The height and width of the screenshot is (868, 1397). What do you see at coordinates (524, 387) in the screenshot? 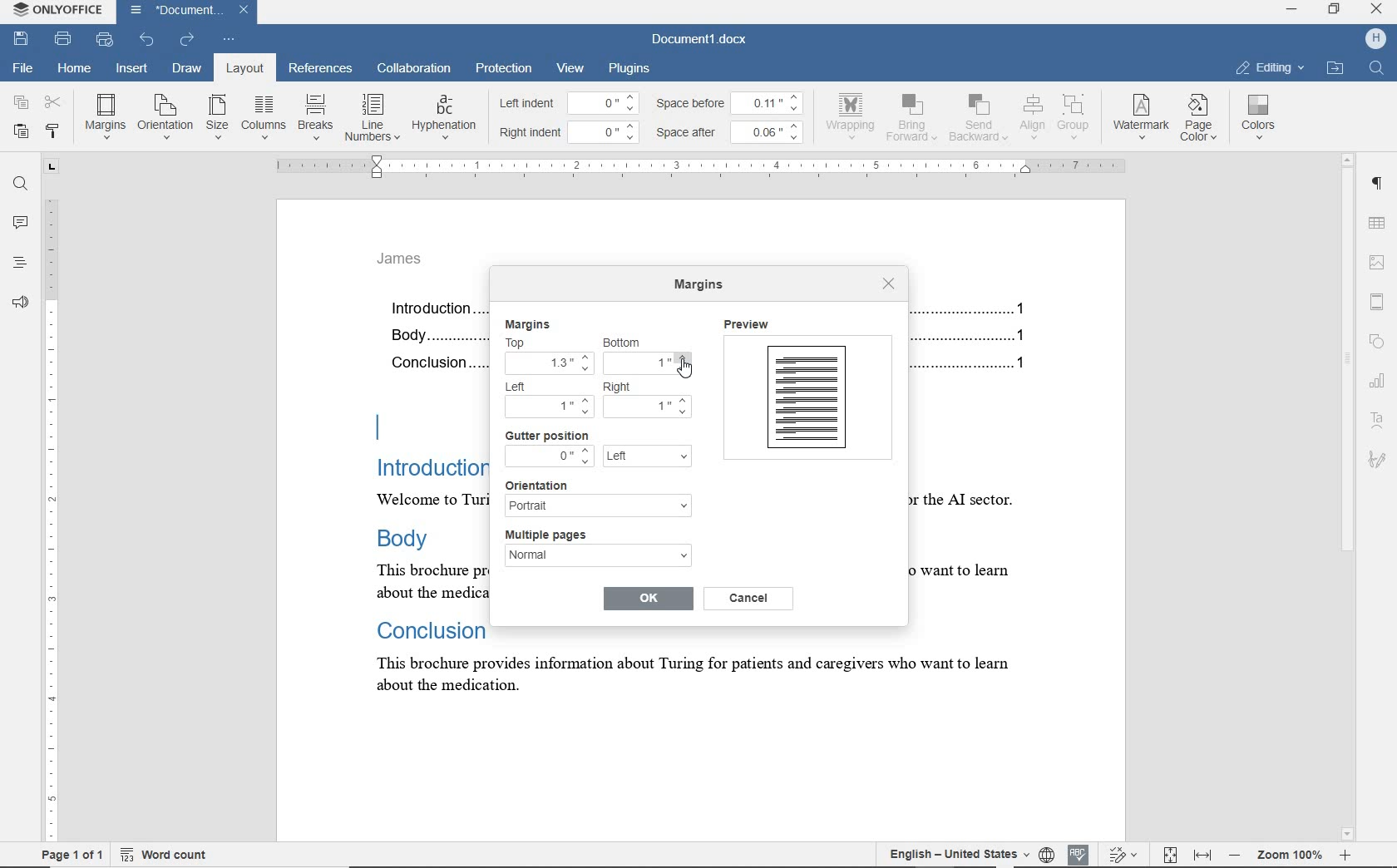
I see `Left` at bounding box center [524, 387].